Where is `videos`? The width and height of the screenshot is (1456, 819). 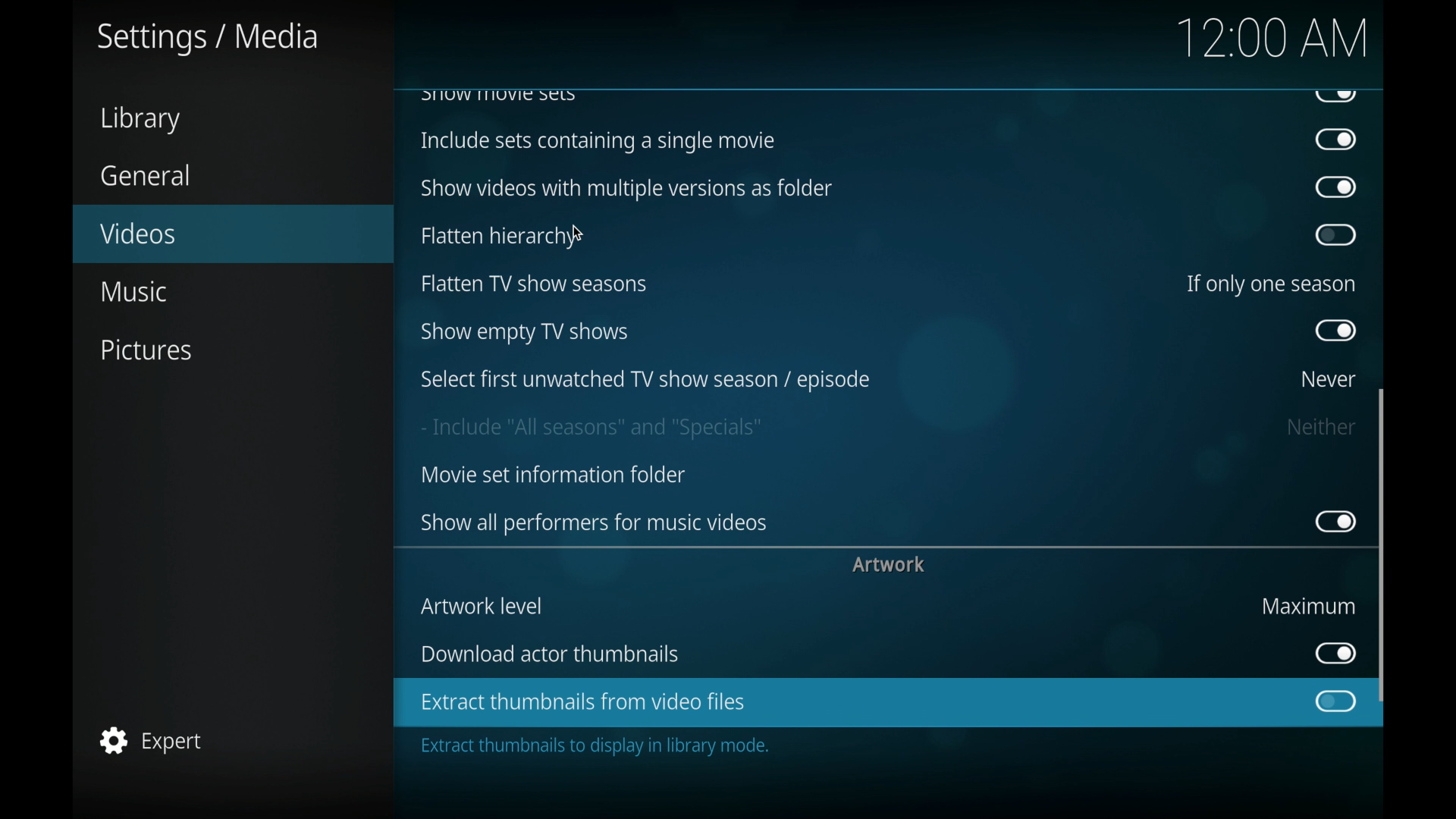 videos is located at coordinates (140, 232).